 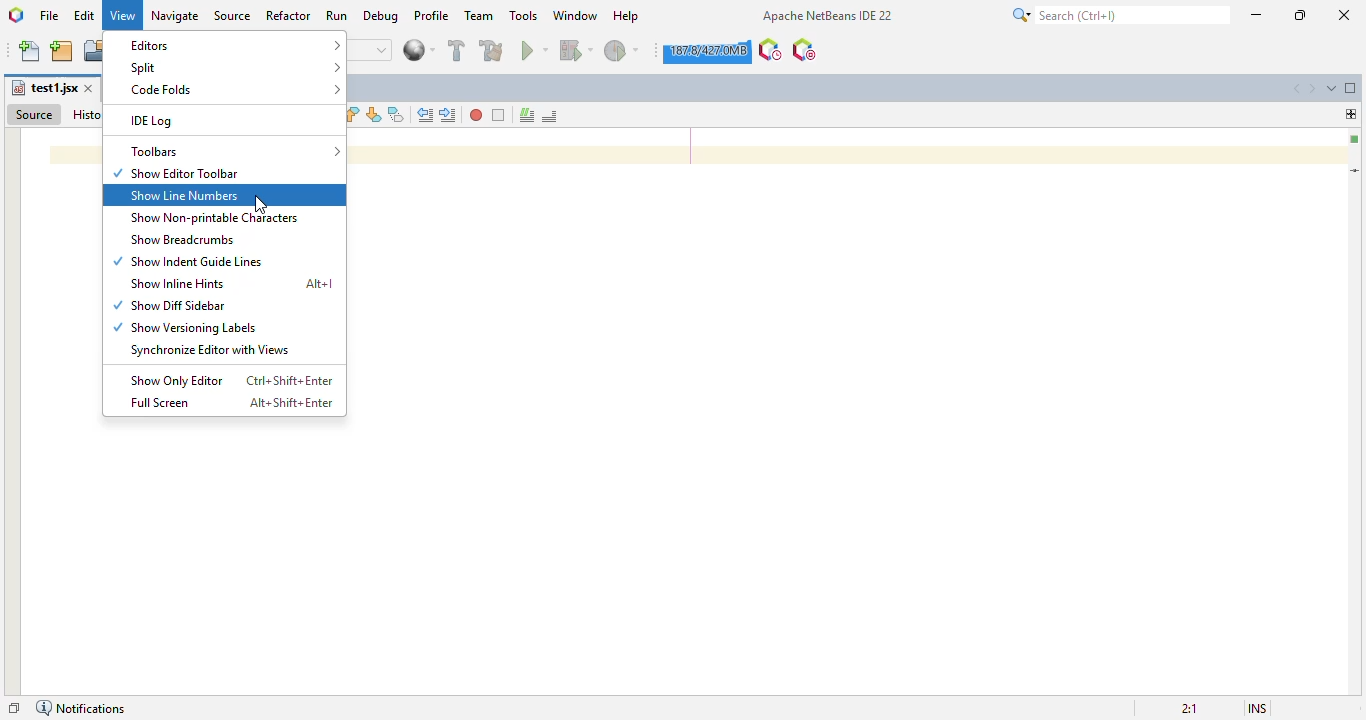 I want to click on current line, so click(x=1355, y=170).